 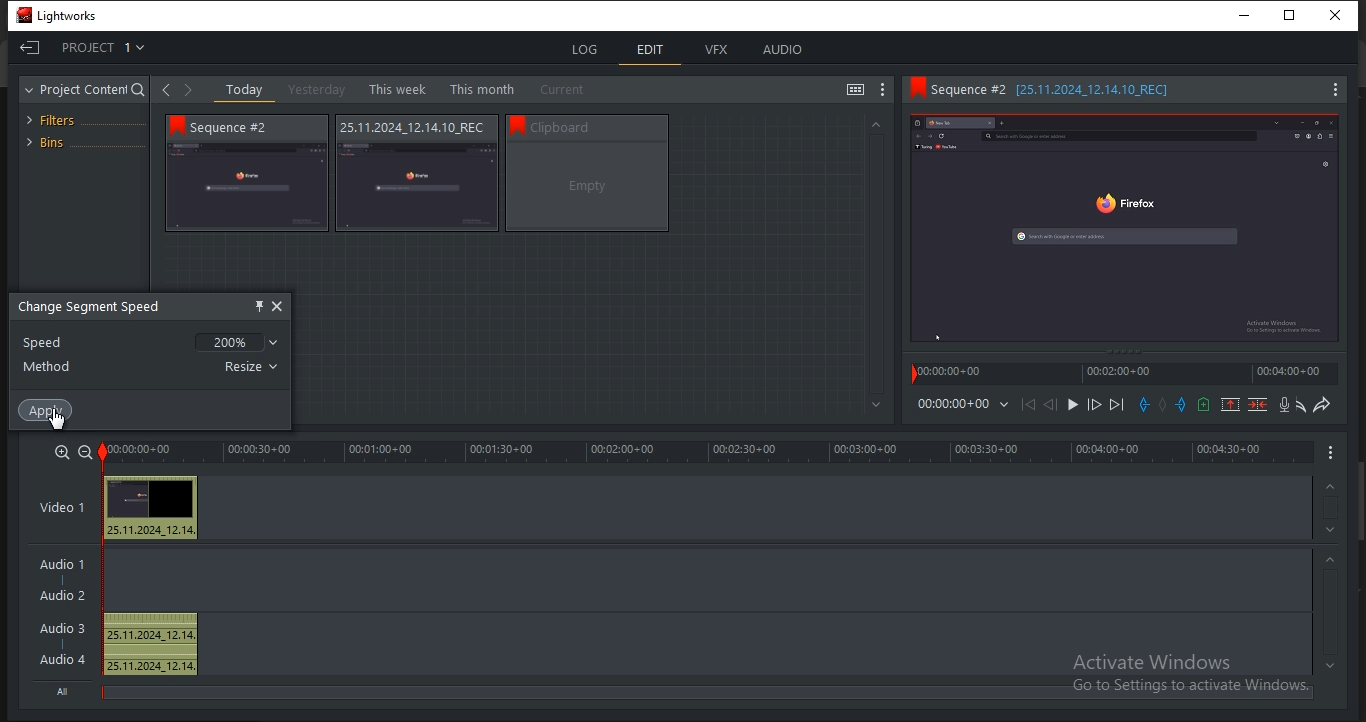 What do you see at coordinates (1144, 406) in the screenshot?
I see `add an in mark at the current position` at bounding box center [1144, 406].